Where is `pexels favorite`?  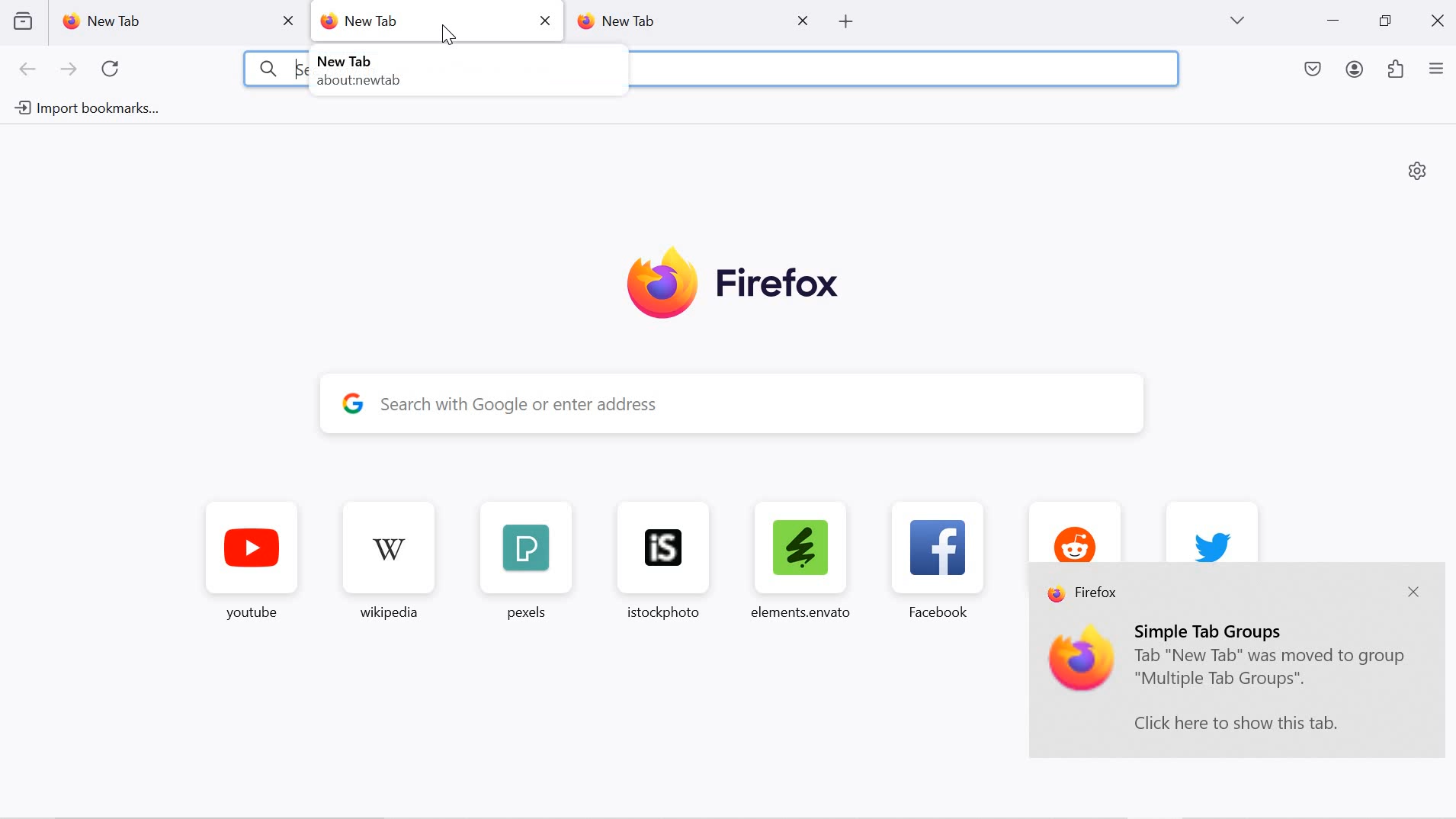 pexels favorite is located at coordinates (523, 562).